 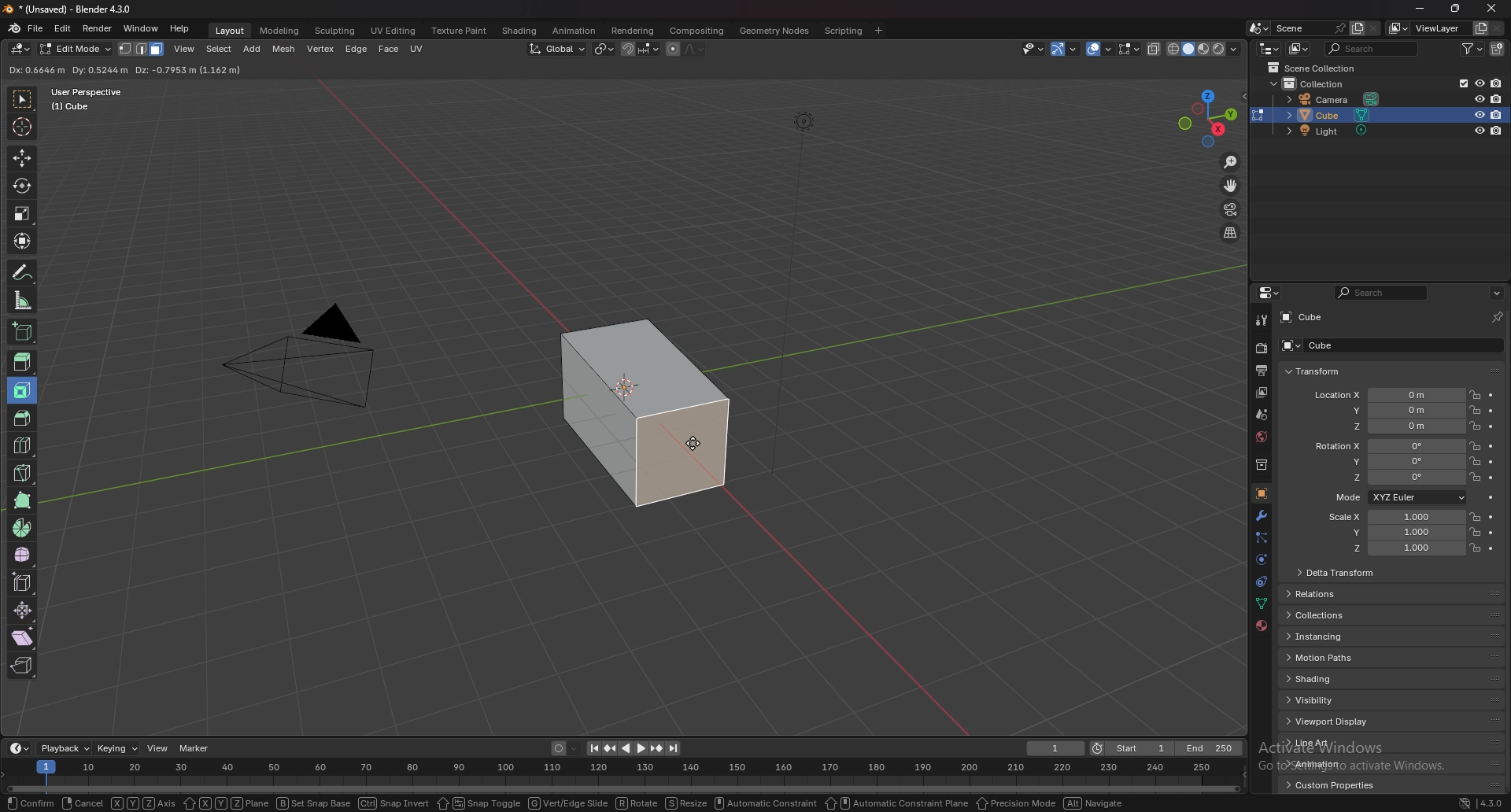 What do you see at coordinates (281, 31) in the screenshot?
I see `modeling` at bounding box center [281, 31].